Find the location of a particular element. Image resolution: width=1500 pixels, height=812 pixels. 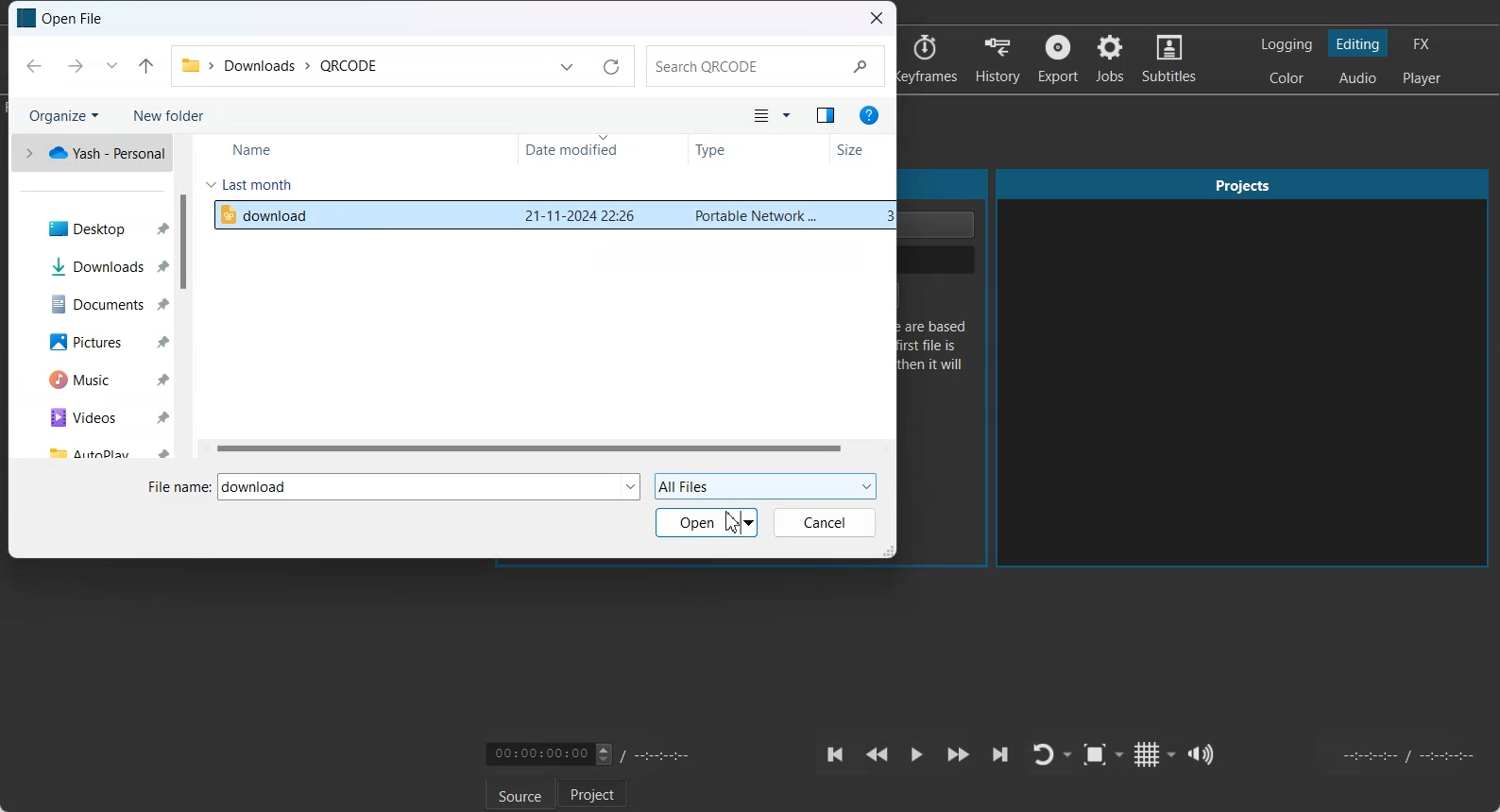

Source is located at coordinates (516, 795).